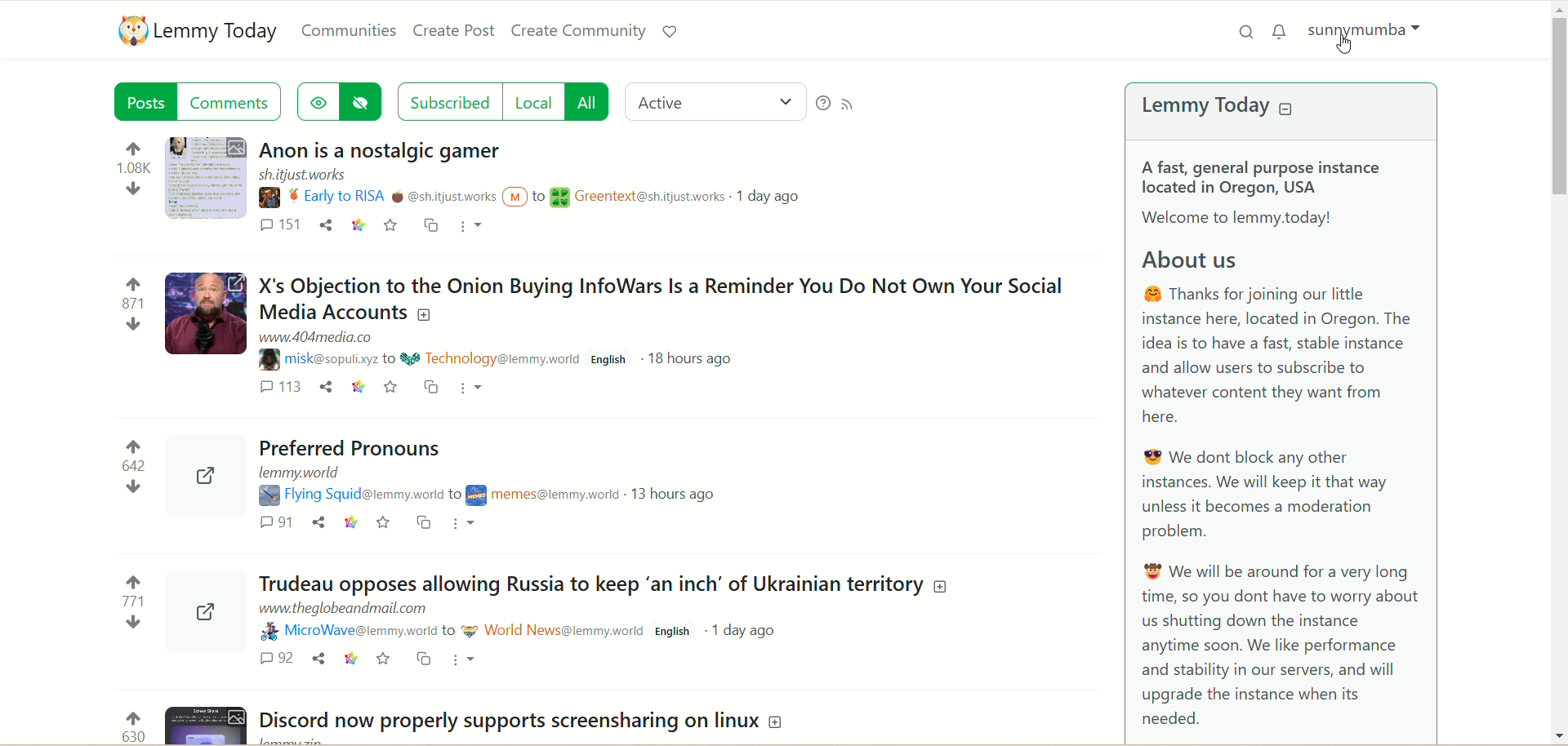 This screenshot has width=1568, height=746. I want to click on comment, so click(281, 228).